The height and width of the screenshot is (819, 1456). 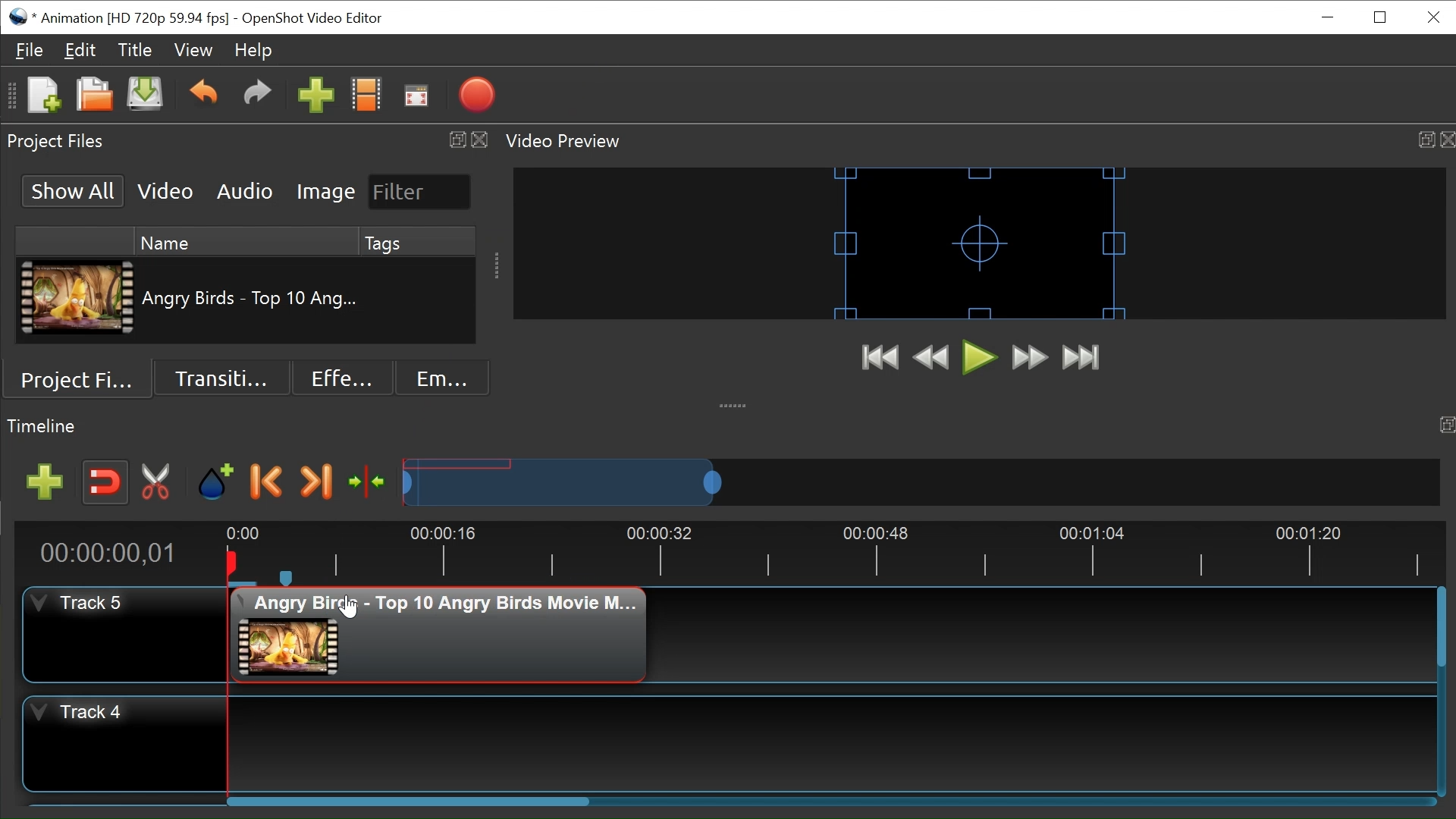 What do you see at coordinates (252, 301) in the screenshot?
I see `Clip Nmae` at bounding box center [252, 301].